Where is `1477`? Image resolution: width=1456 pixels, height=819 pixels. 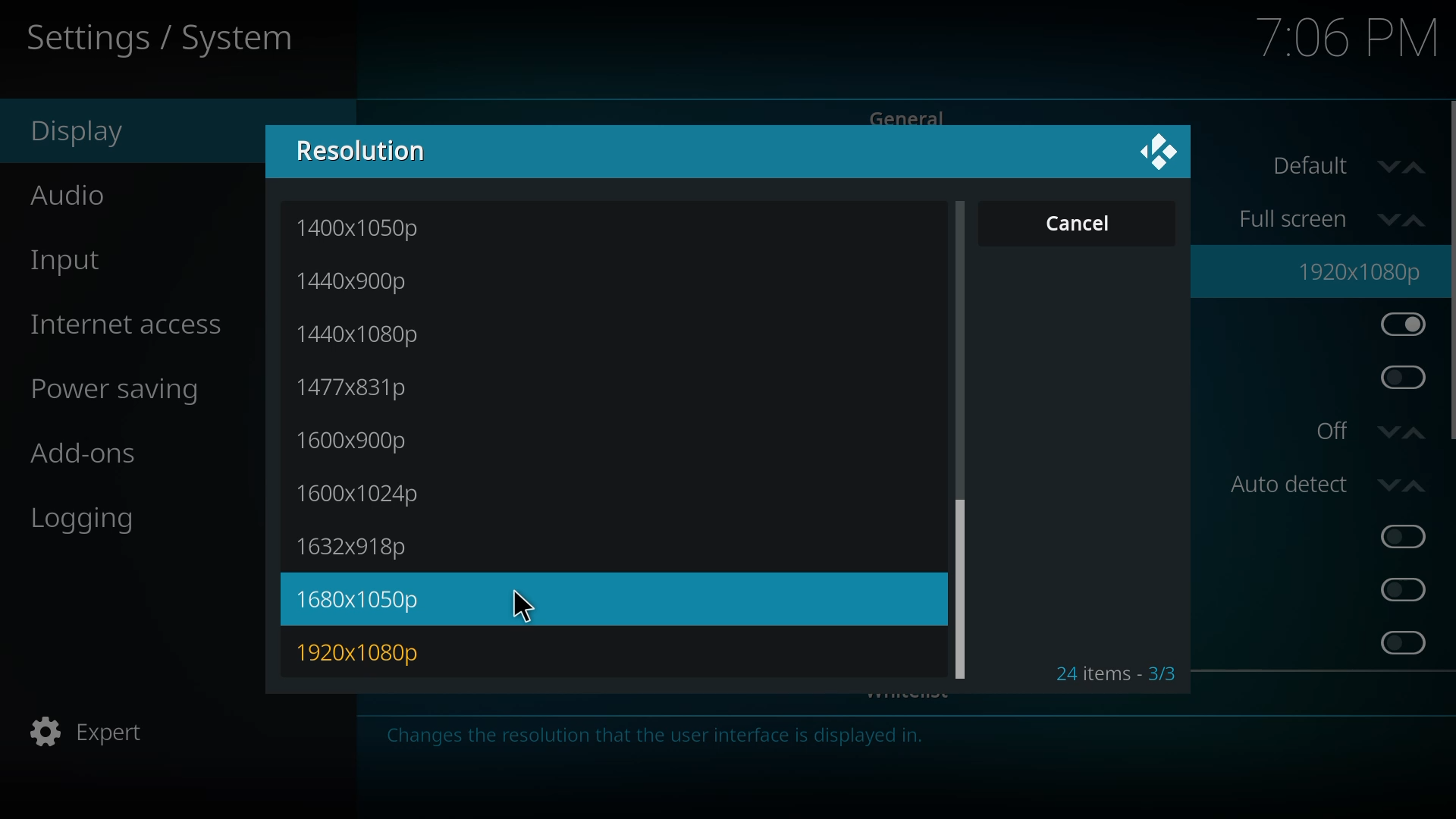 1477 is located at coordinates (365, 388).